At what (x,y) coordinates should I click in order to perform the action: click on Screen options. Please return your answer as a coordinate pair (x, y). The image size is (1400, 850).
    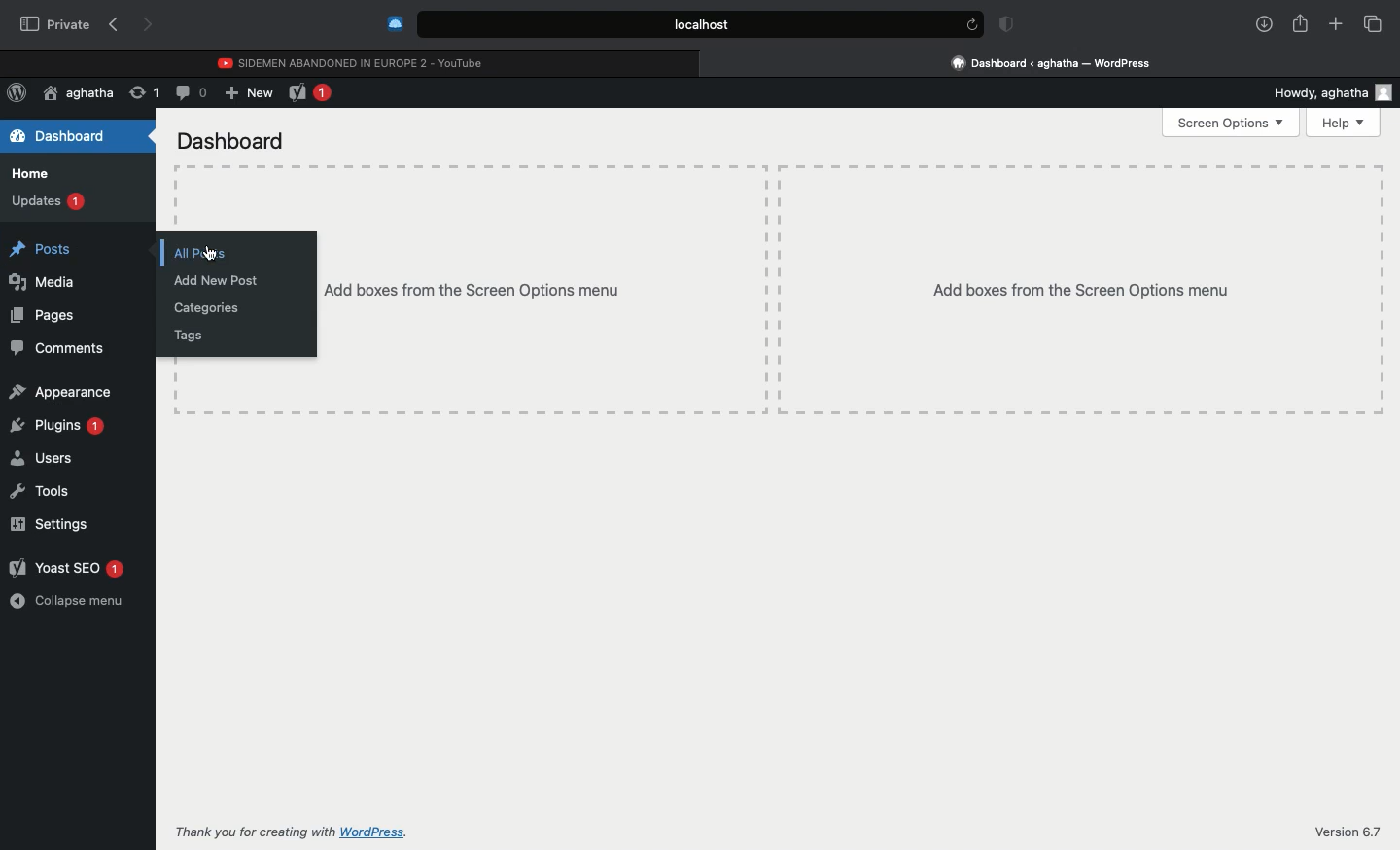
    Looking at the image, I should click on (1234, 122).